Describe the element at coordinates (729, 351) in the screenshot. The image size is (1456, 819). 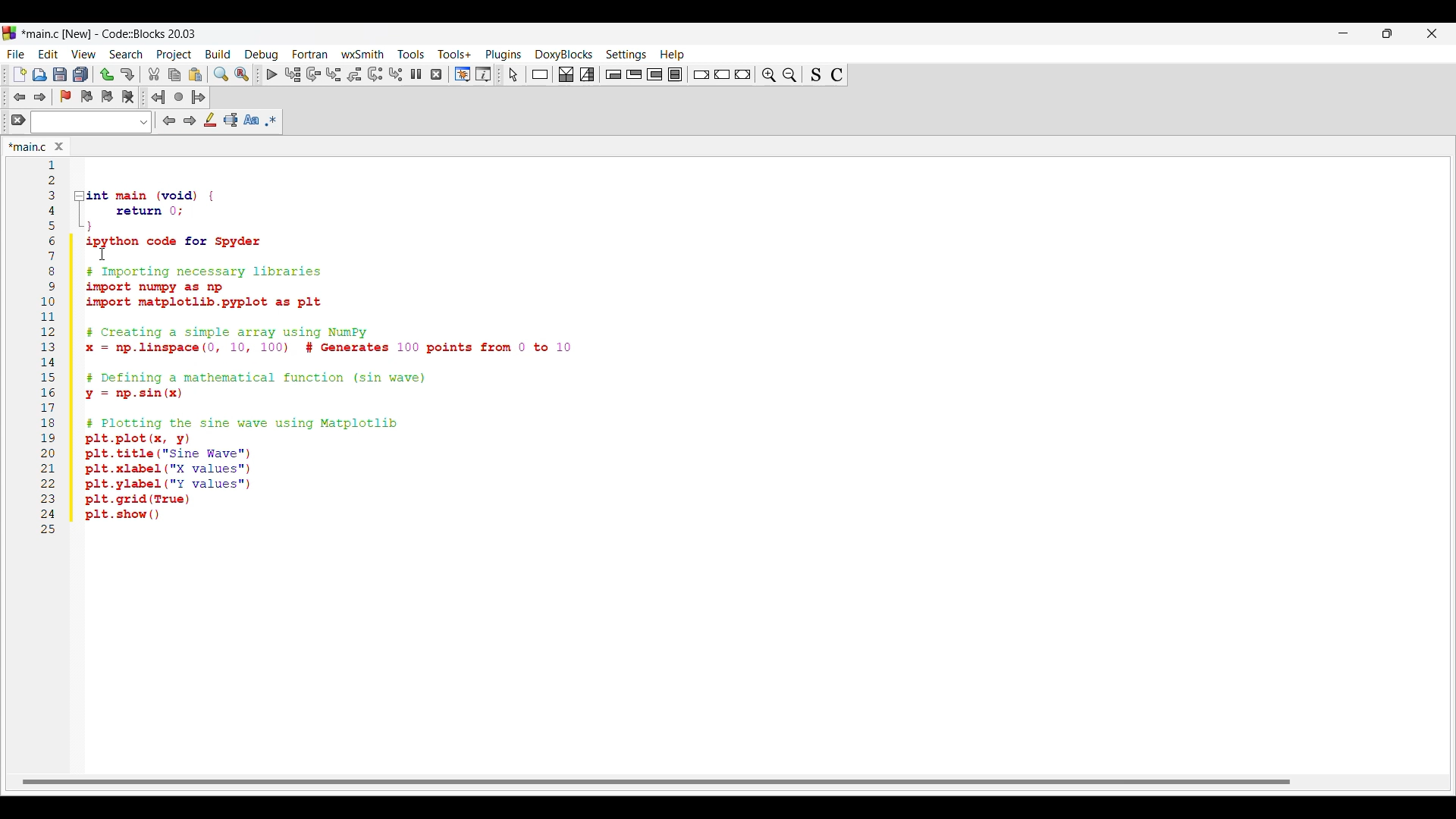
I see `Code snippets panel removed from interface` at that location.